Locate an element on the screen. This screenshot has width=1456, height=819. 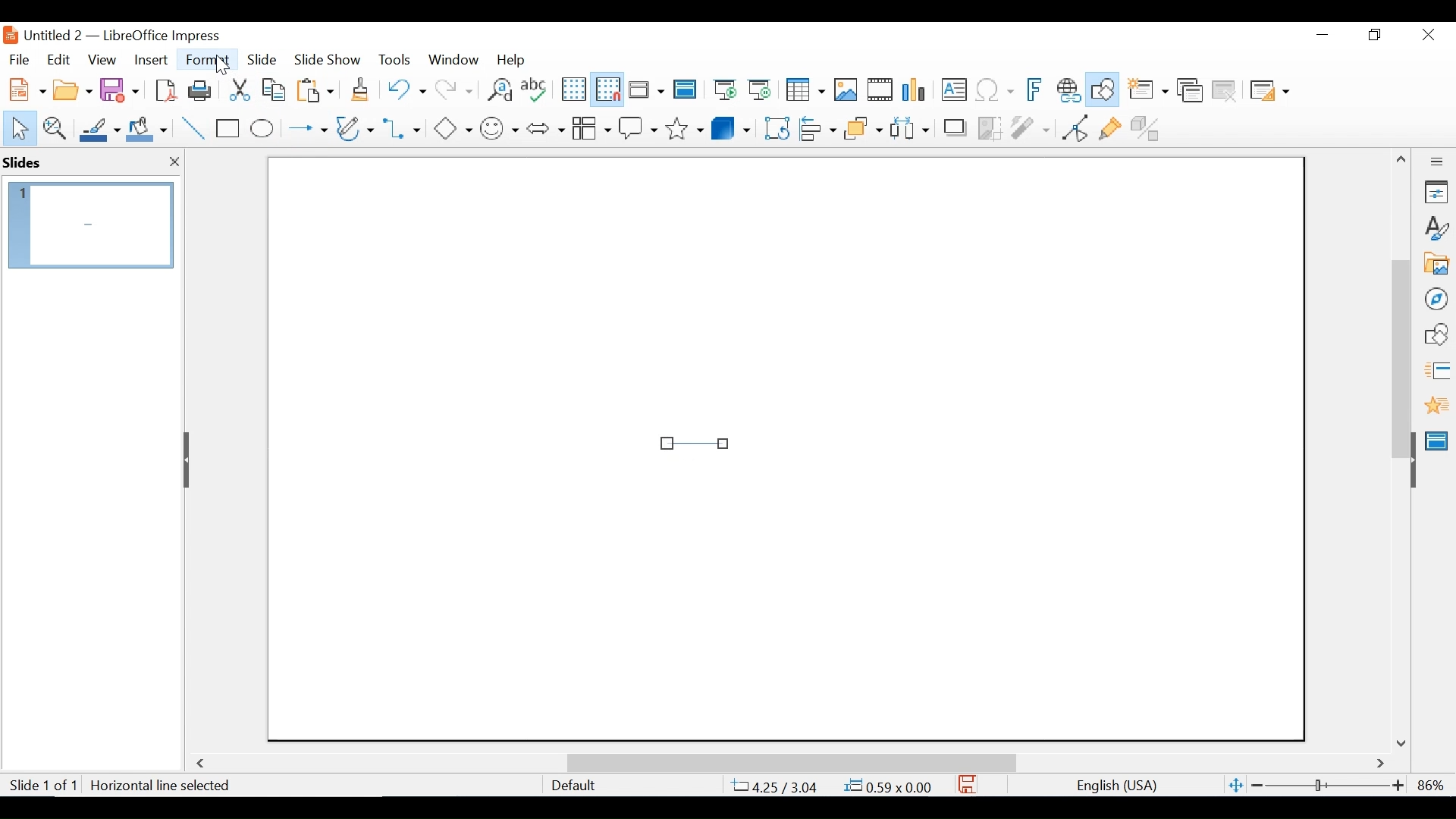
Insert Chart is located at coordinates (916, 91).